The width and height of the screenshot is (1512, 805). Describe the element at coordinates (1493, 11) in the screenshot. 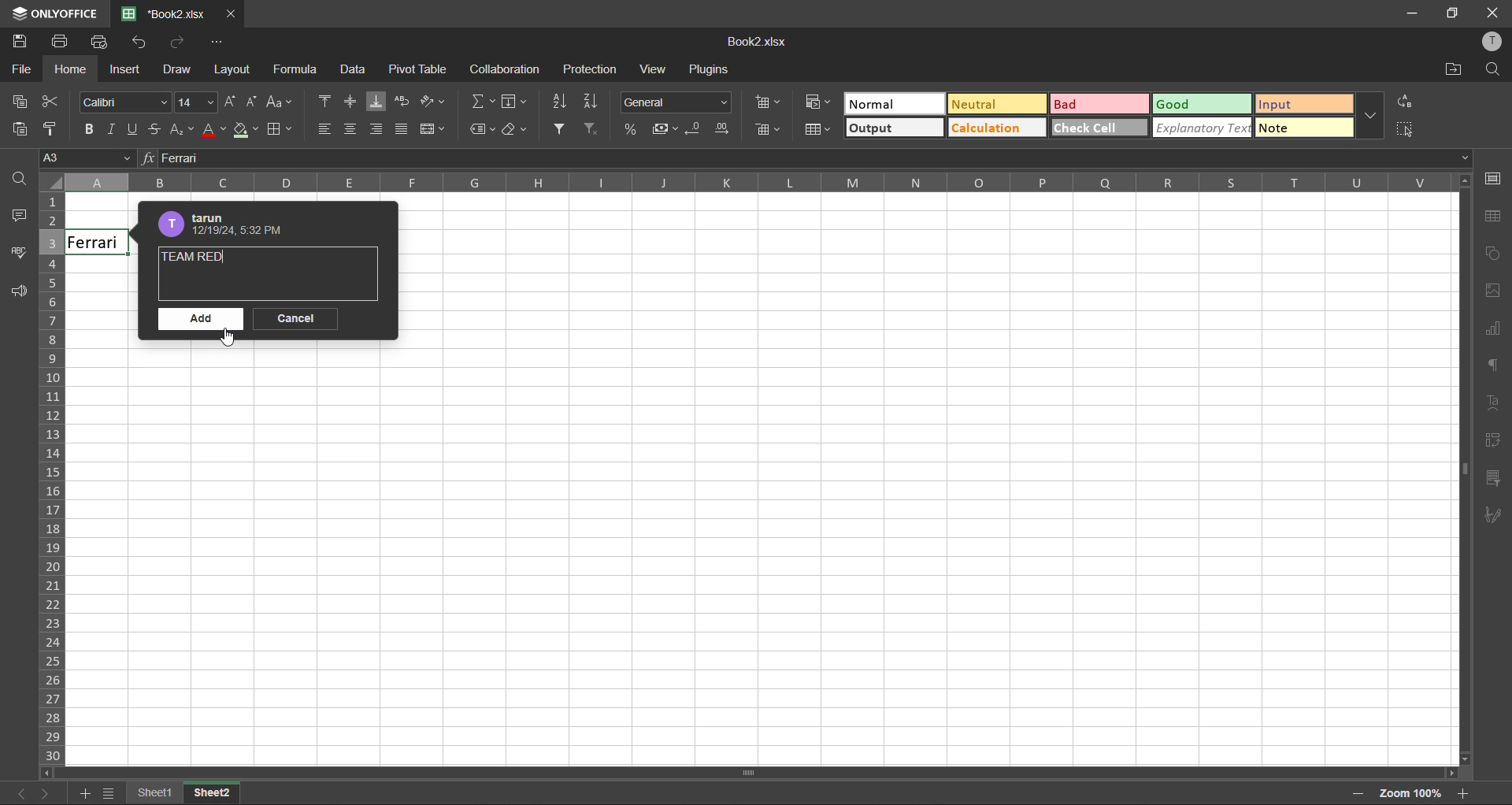

I see `Close ` at that location.